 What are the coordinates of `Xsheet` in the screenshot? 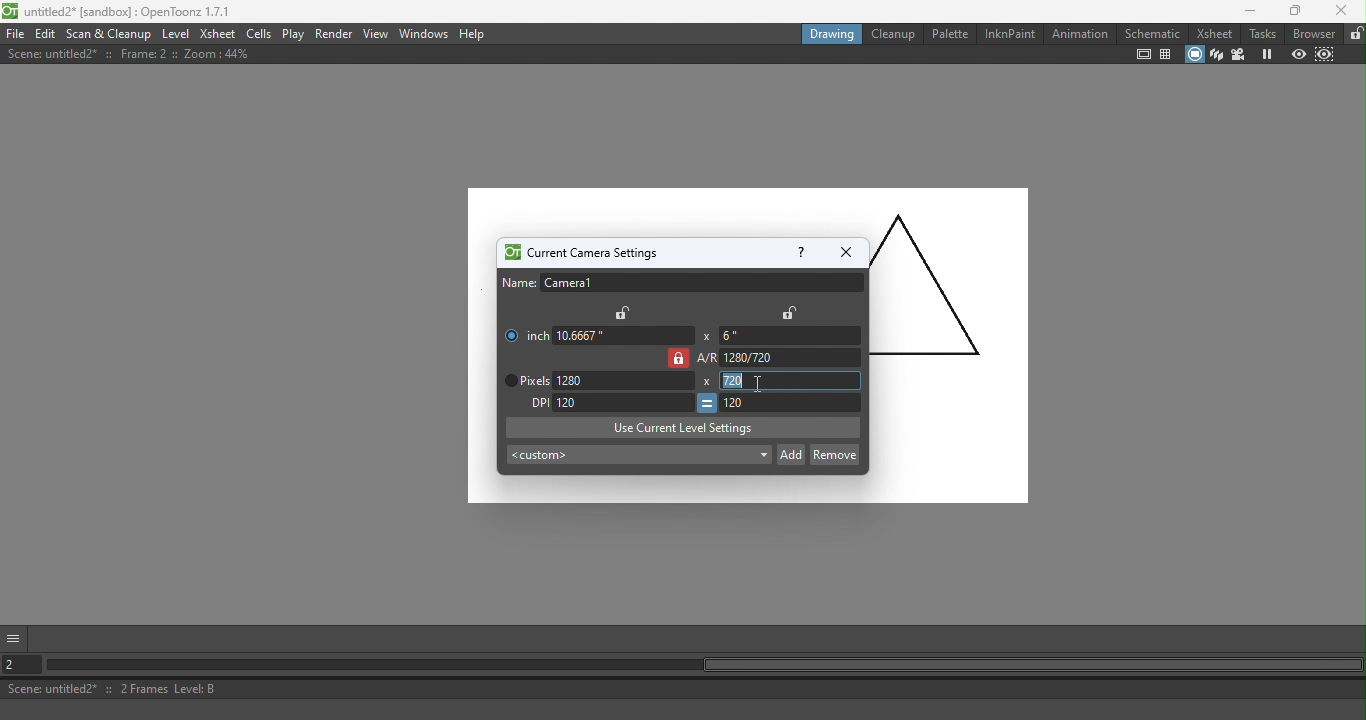 It's located at (218, 33).